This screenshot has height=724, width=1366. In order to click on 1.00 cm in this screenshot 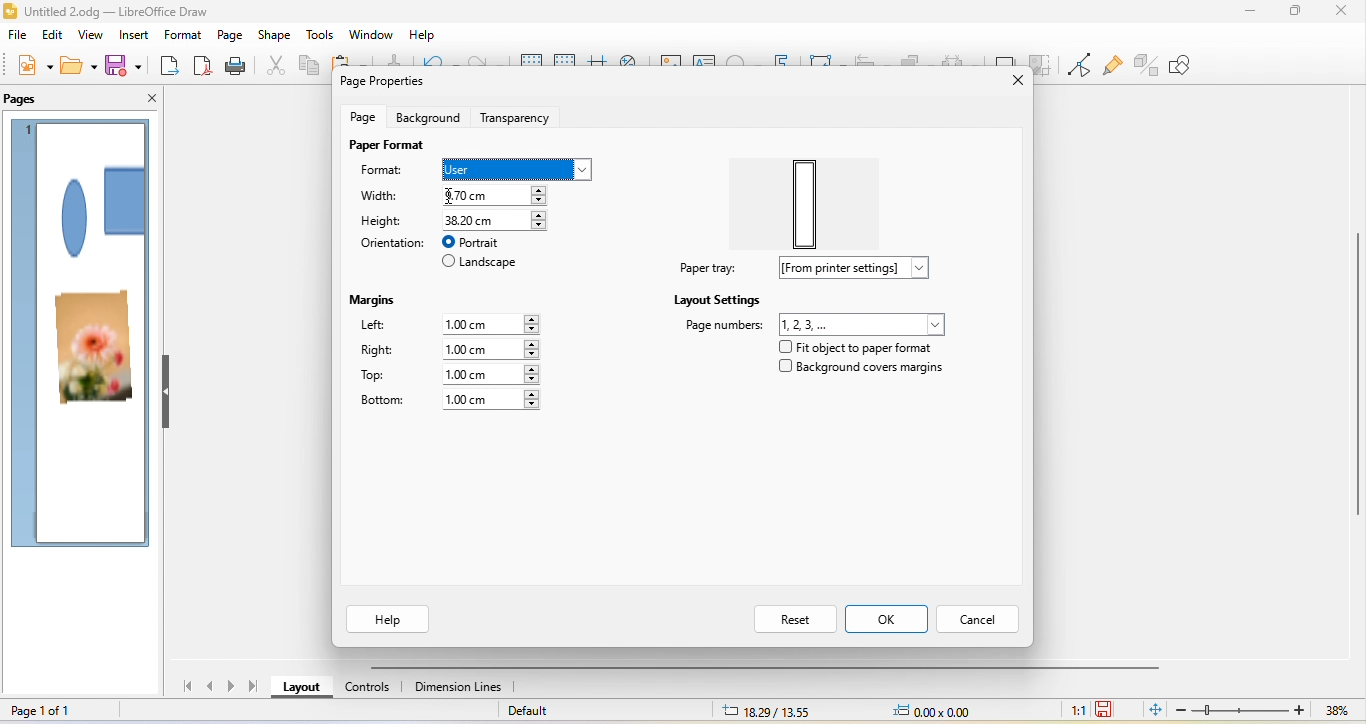, I will do `click(502, 323)`.